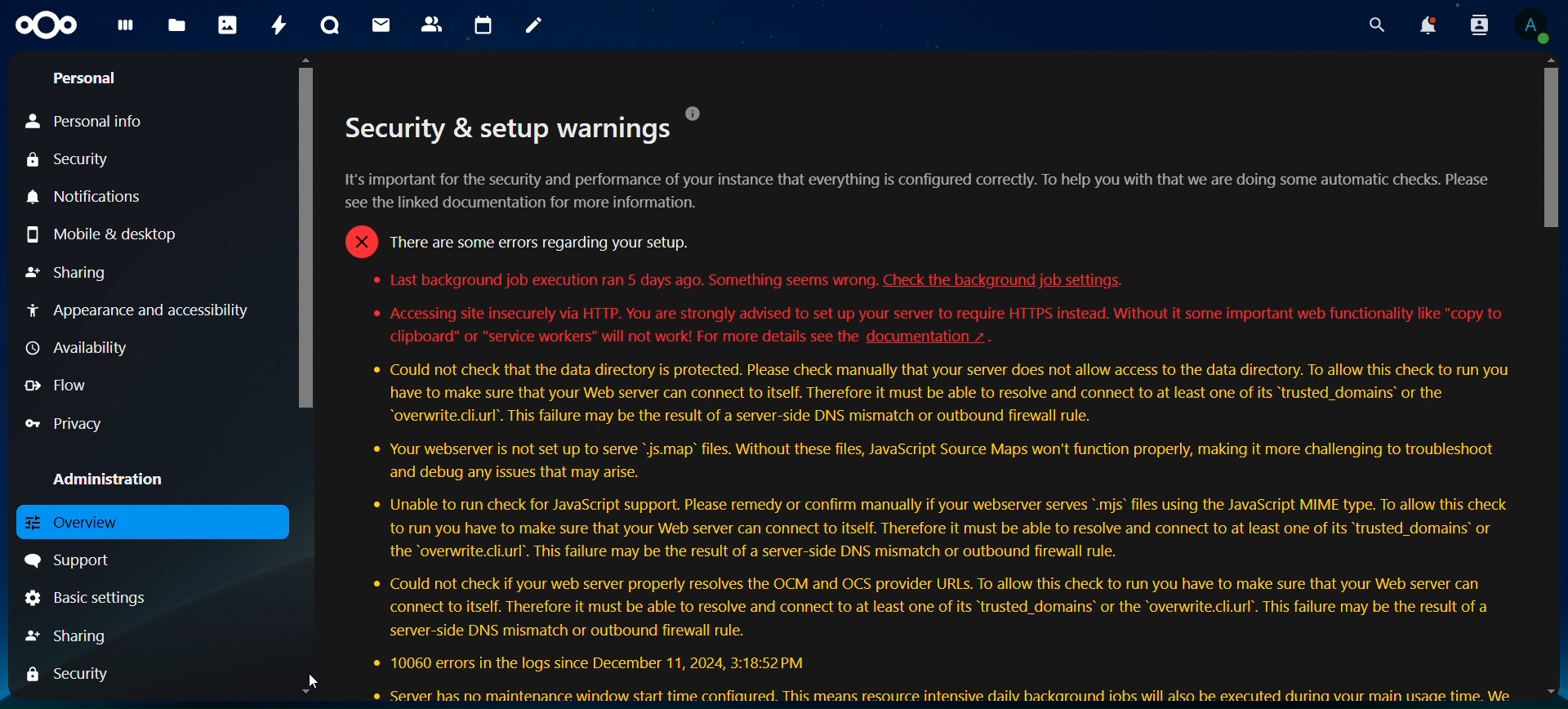 The height and width of the screenshot is (709, 1568). Describe the element at coordinates (1379, 25) in the screenshot. I see `search` at that location.